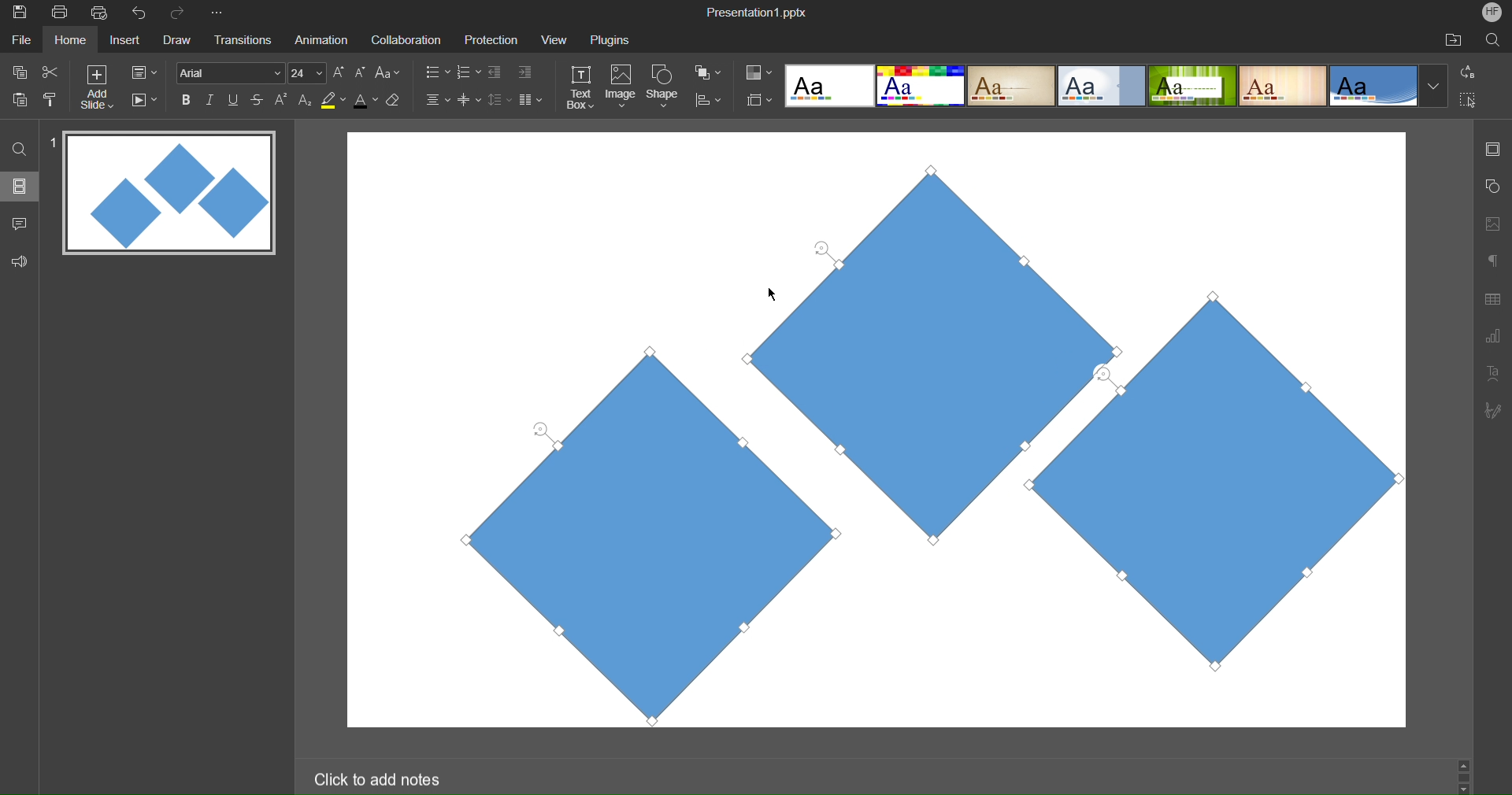 The image size is (1512, 795). Describe the element at coordinates (708, 101) in the screenshot. I see `Align` at that location.